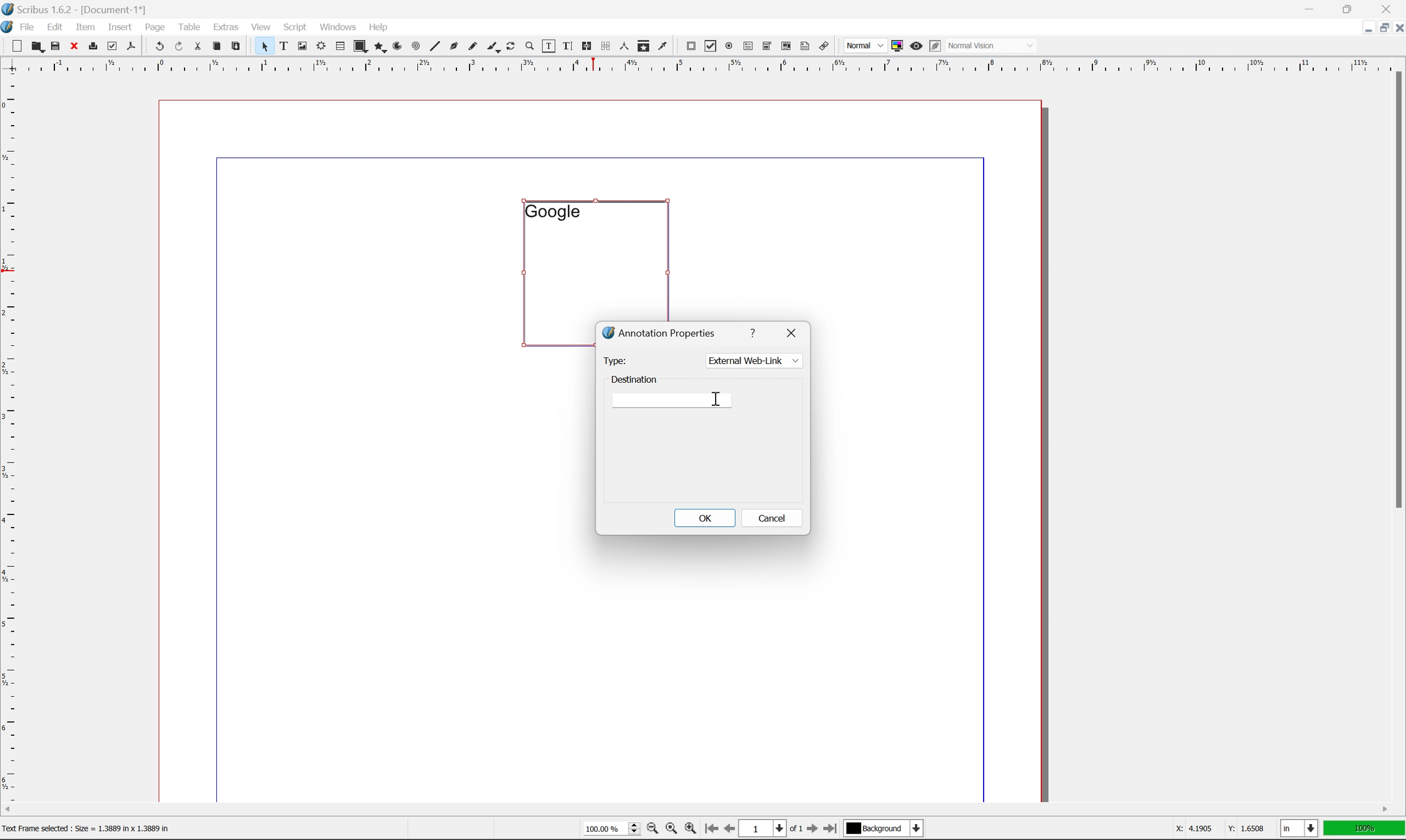  Describe the element at coordinates (320, 45) in the screenshot. I see `render frame` at that location.